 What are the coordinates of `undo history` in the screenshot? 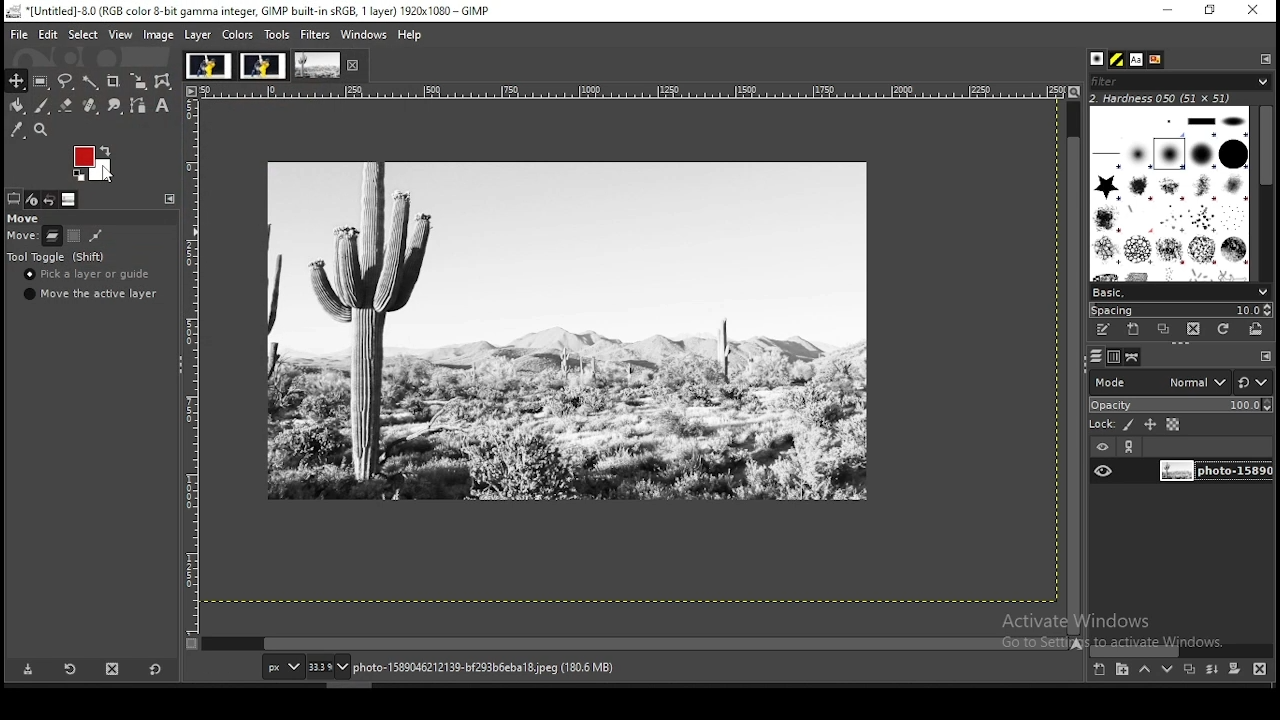 It's located at (52, 200).